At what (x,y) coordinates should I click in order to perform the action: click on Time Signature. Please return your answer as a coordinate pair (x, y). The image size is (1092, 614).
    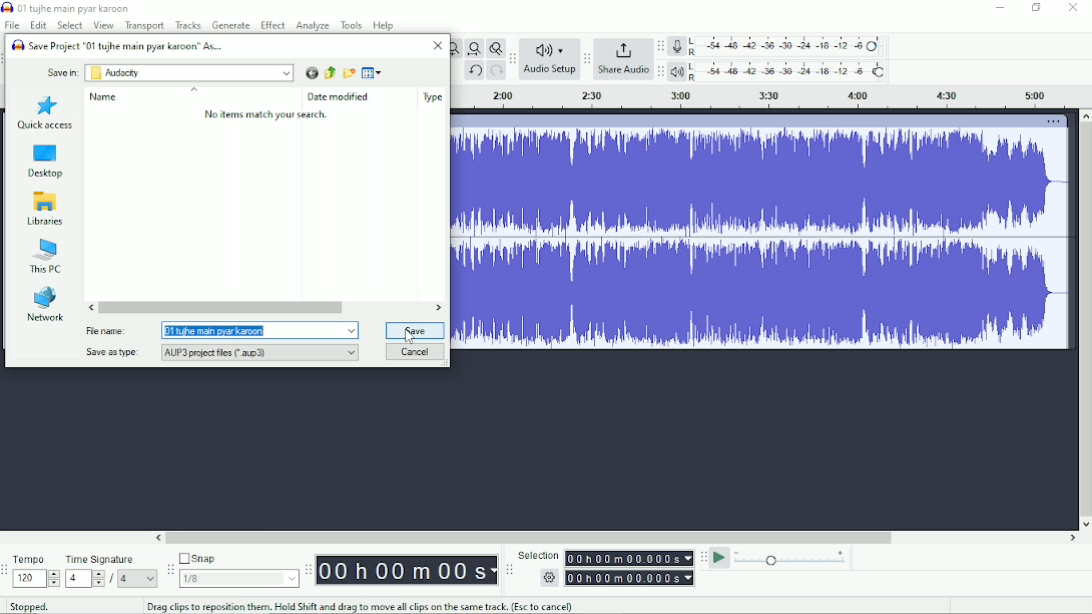
    Looking at the image, I should click on (110, 570).